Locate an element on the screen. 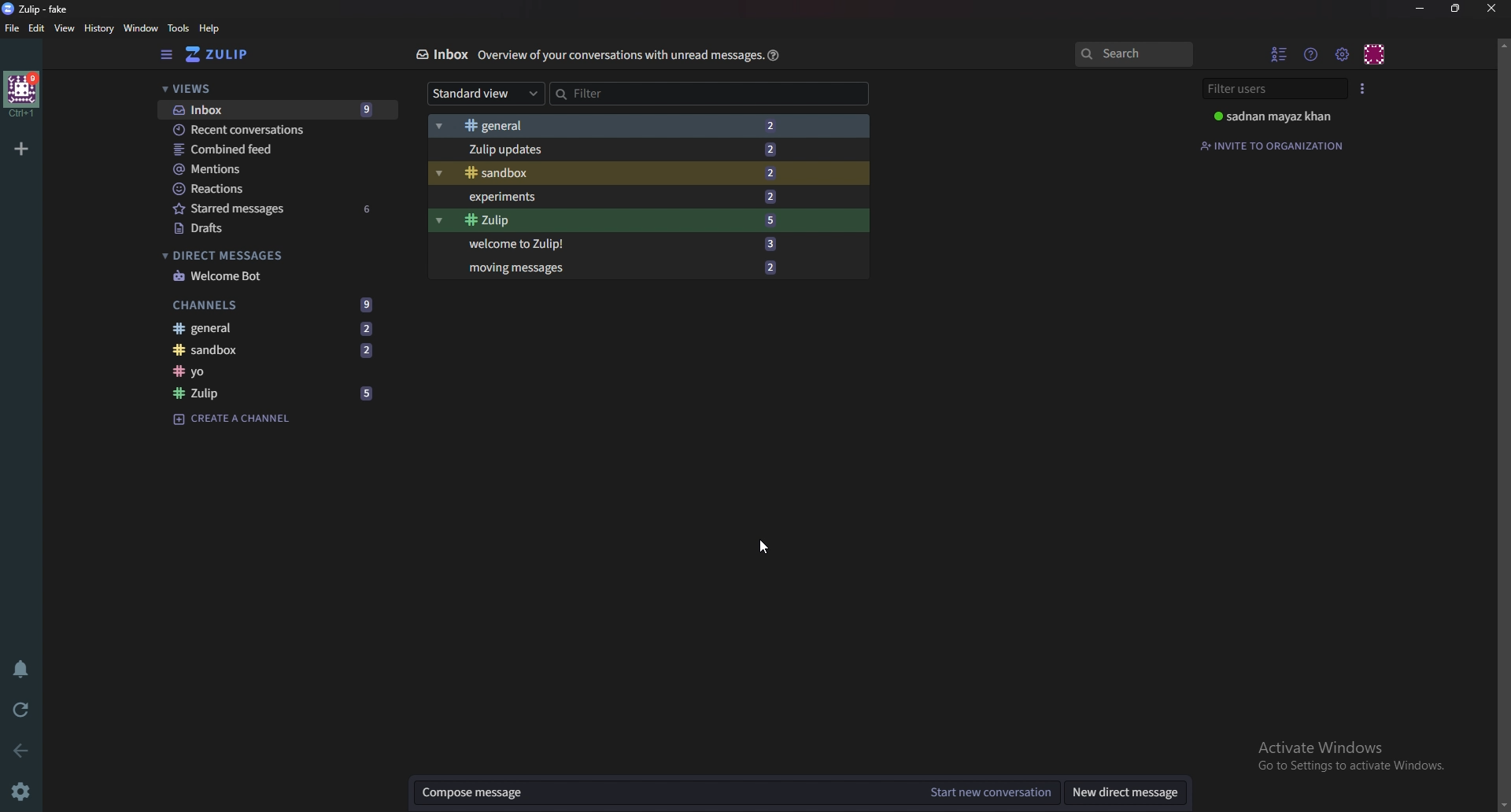 Image resolution: width=1511 pixels, height=812 pixels. Close is located at coordinates (1491, 9).